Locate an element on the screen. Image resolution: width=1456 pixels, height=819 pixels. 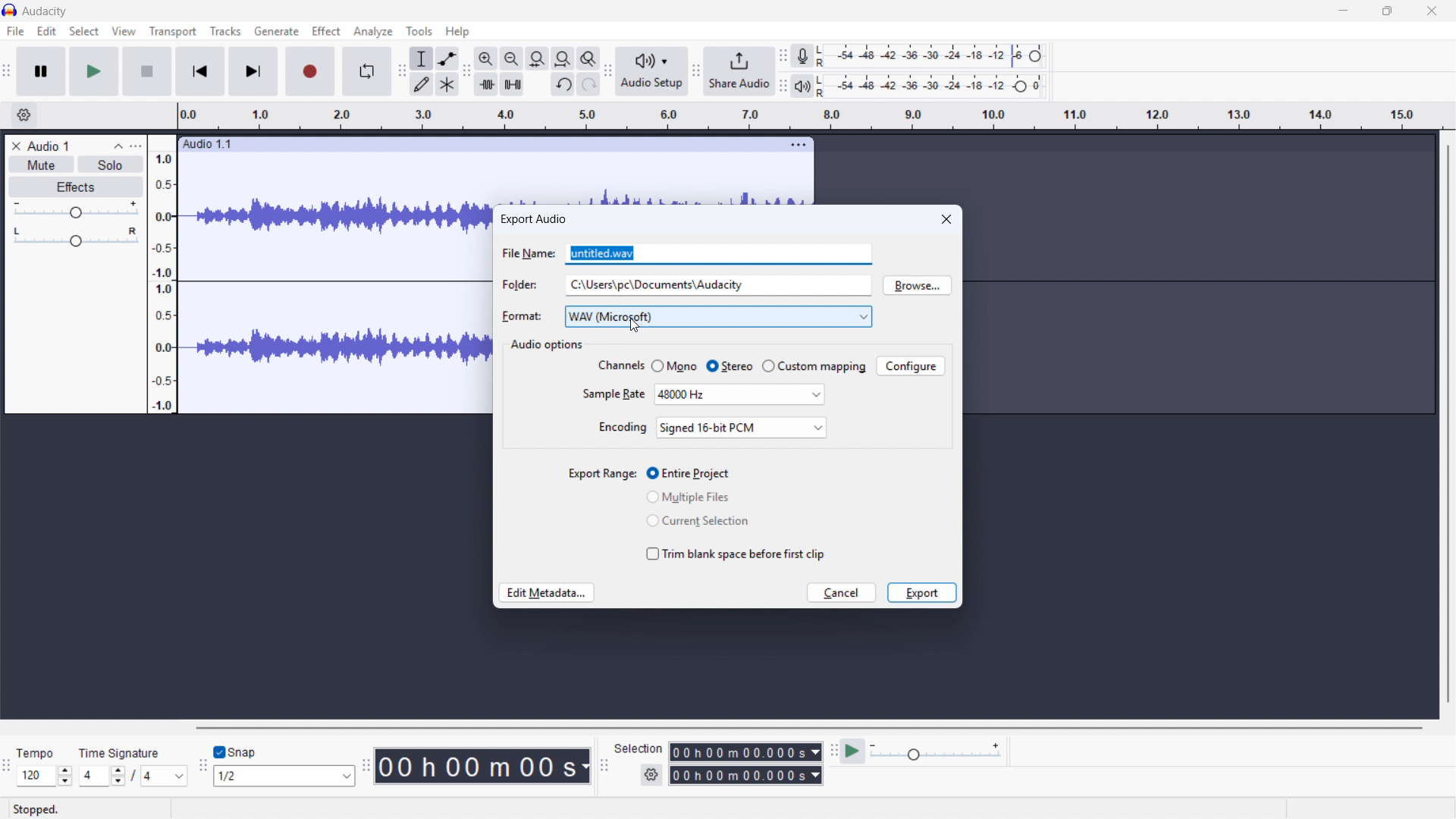
export range is located at coordinates (601, 473).